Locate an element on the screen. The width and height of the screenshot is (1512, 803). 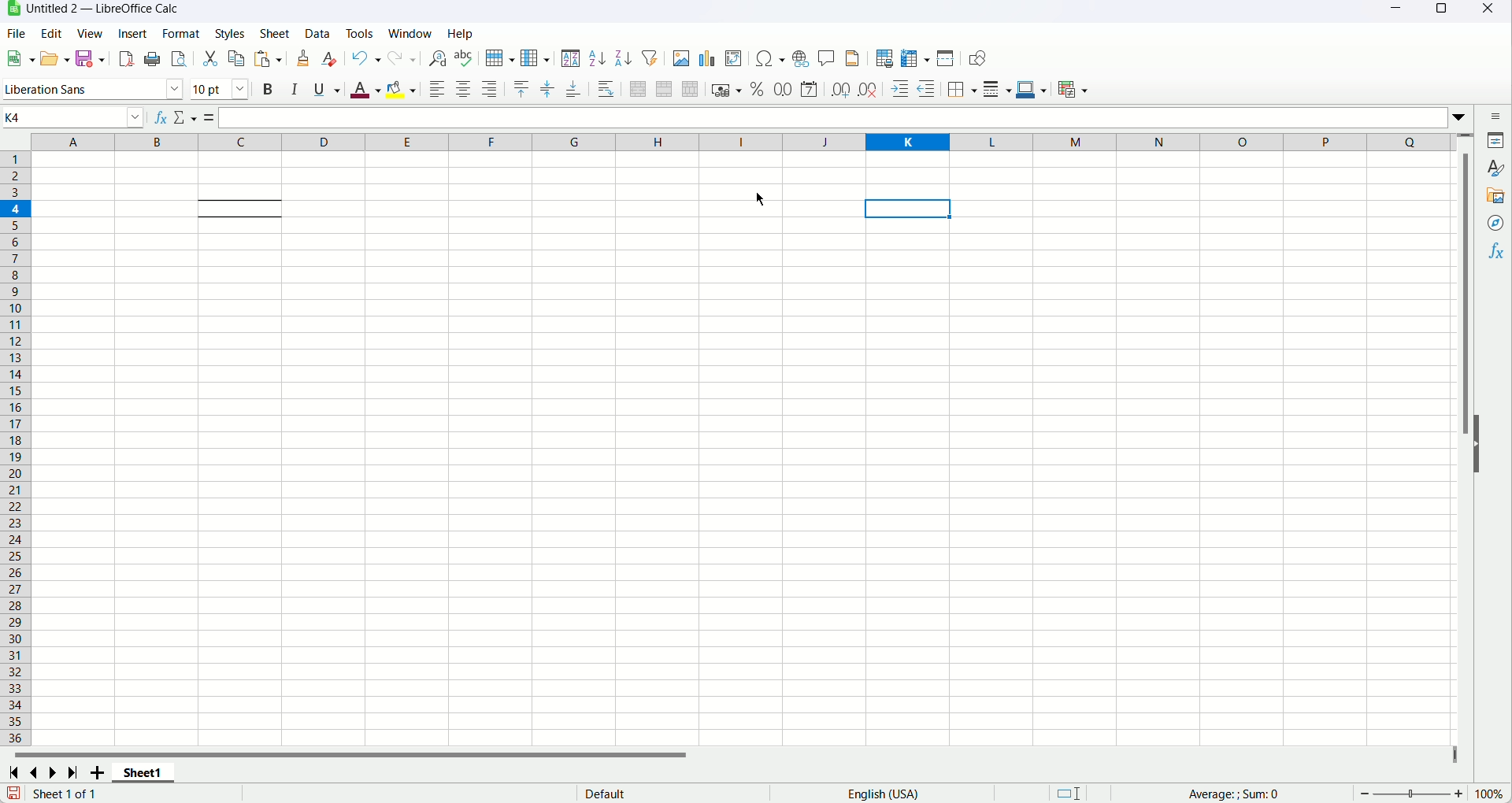
Export as pdf is located at coordinates (126, 58).